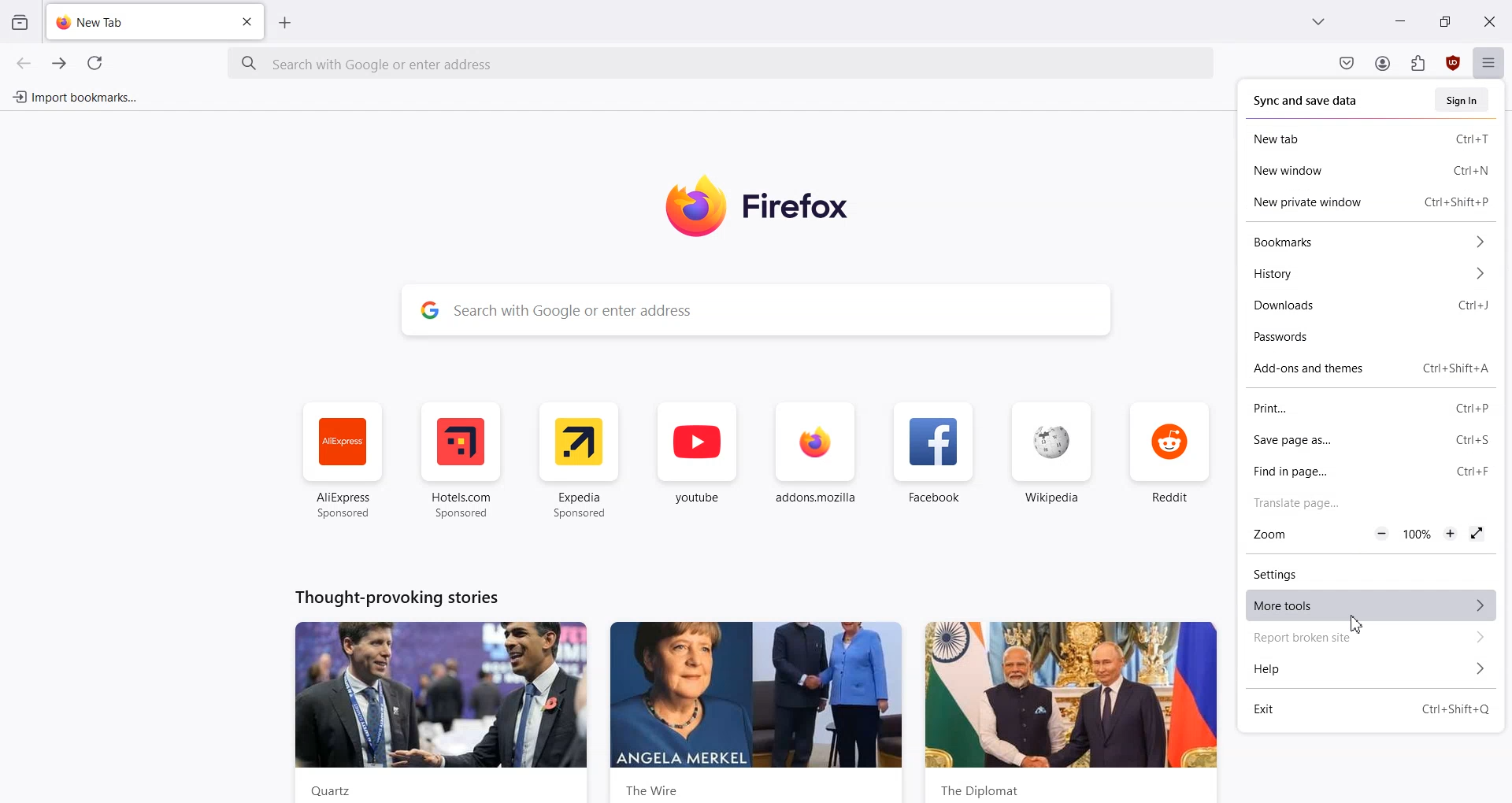 This screenshot has width=1512, height=803. I want to click on Open Application menu, so click(1491, 61).